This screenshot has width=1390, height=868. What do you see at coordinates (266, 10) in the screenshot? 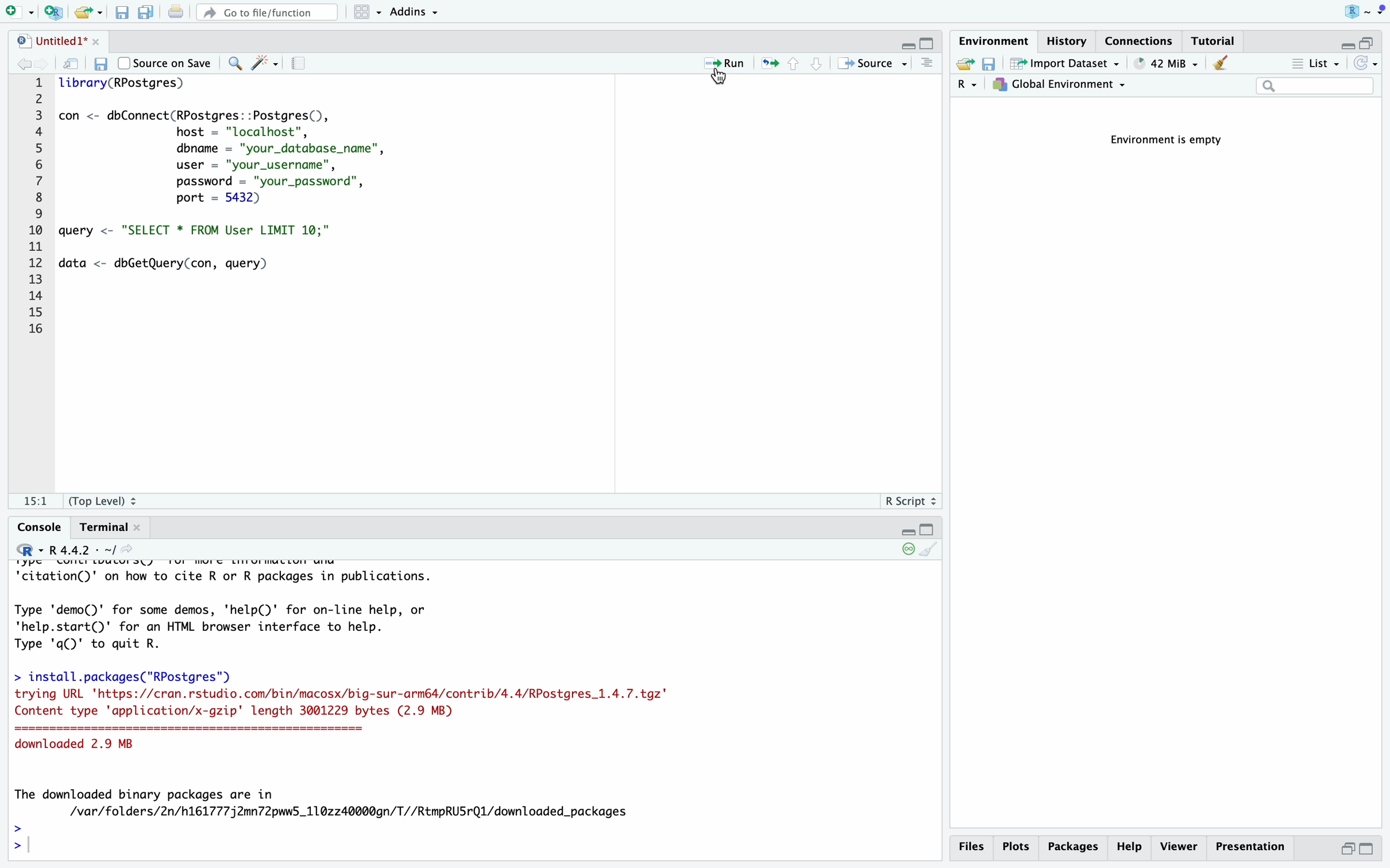
I see `go to file/function` at bounding box center [266, 10].